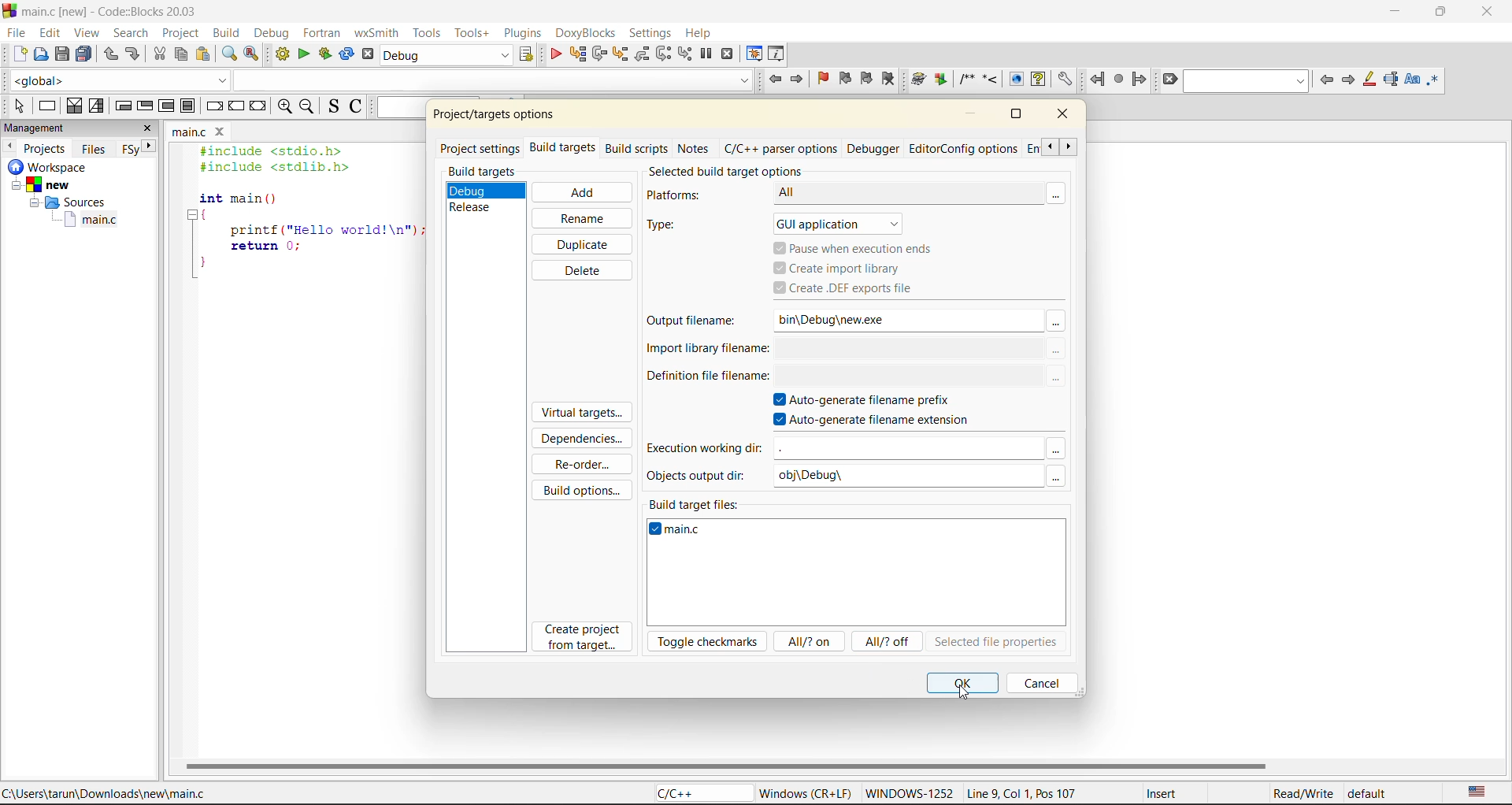 The image size is (1512, 805). I want to click on decision, so click(75, 106).